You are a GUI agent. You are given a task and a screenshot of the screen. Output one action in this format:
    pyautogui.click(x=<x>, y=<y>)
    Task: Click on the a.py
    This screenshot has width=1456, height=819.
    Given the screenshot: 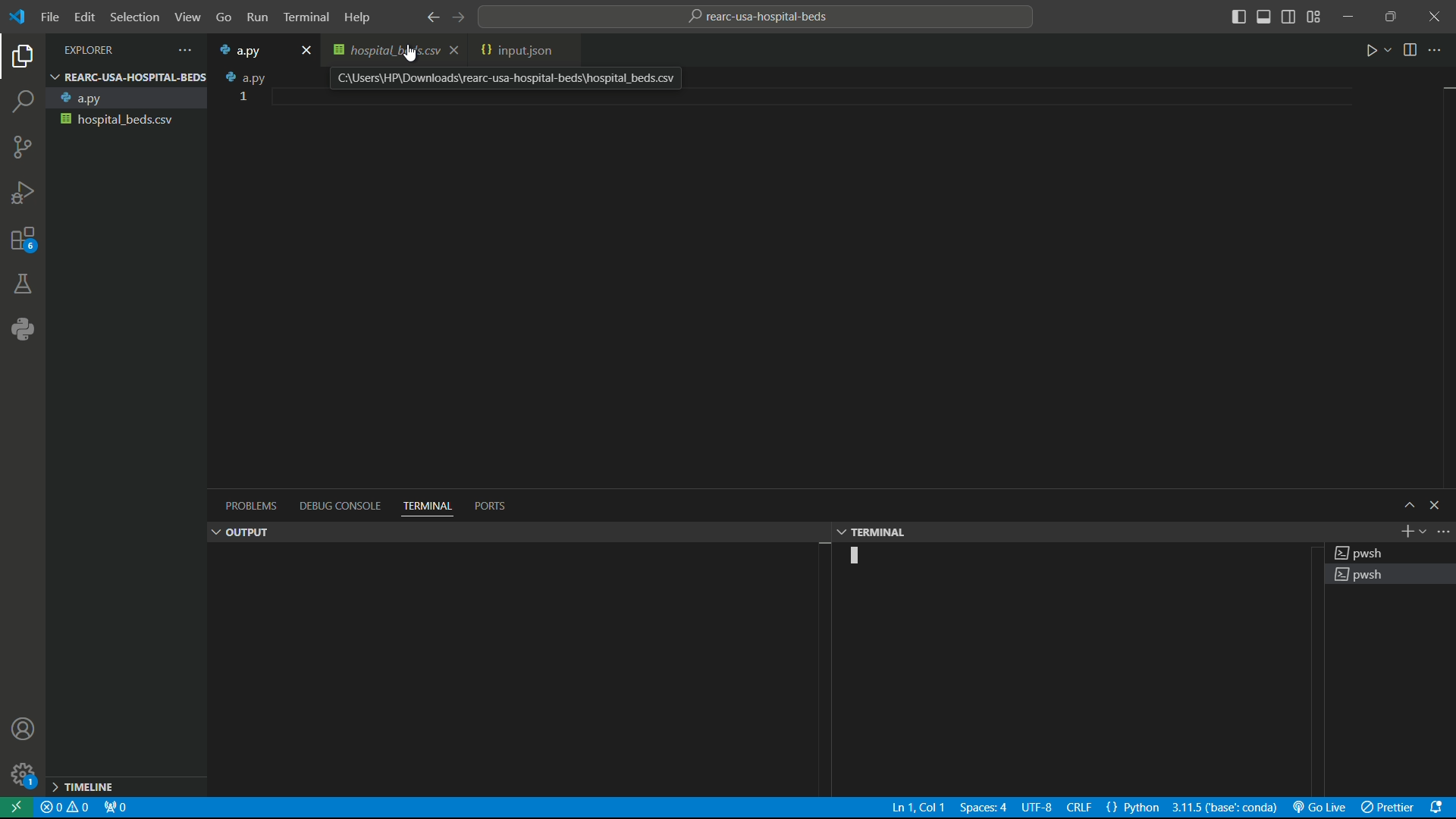 What is the action you would take?
    pyautogui.click(x=127, y=97)
    